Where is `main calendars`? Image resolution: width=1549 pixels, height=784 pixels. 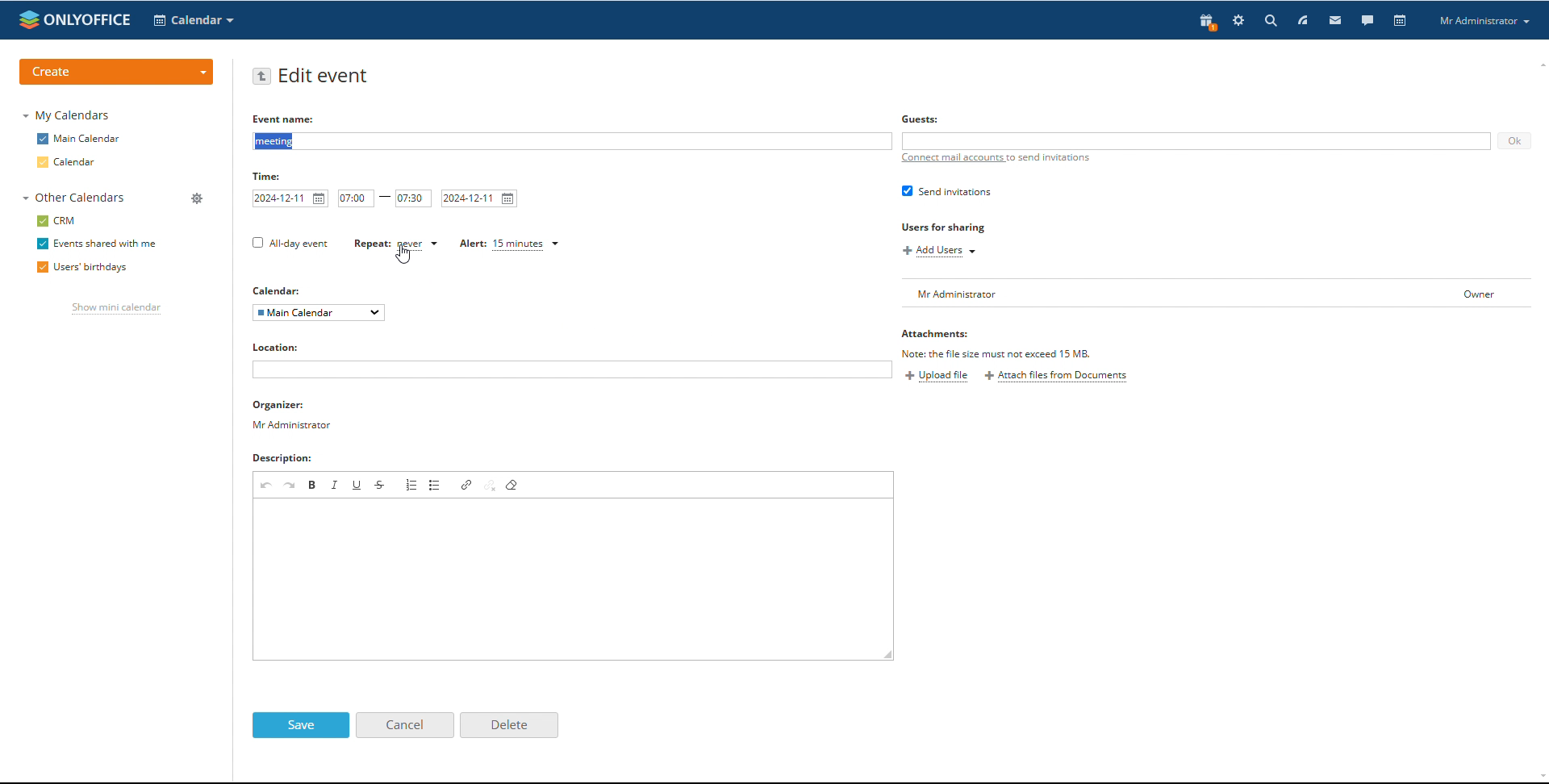 main calendars is located at coordinates (78, 138).